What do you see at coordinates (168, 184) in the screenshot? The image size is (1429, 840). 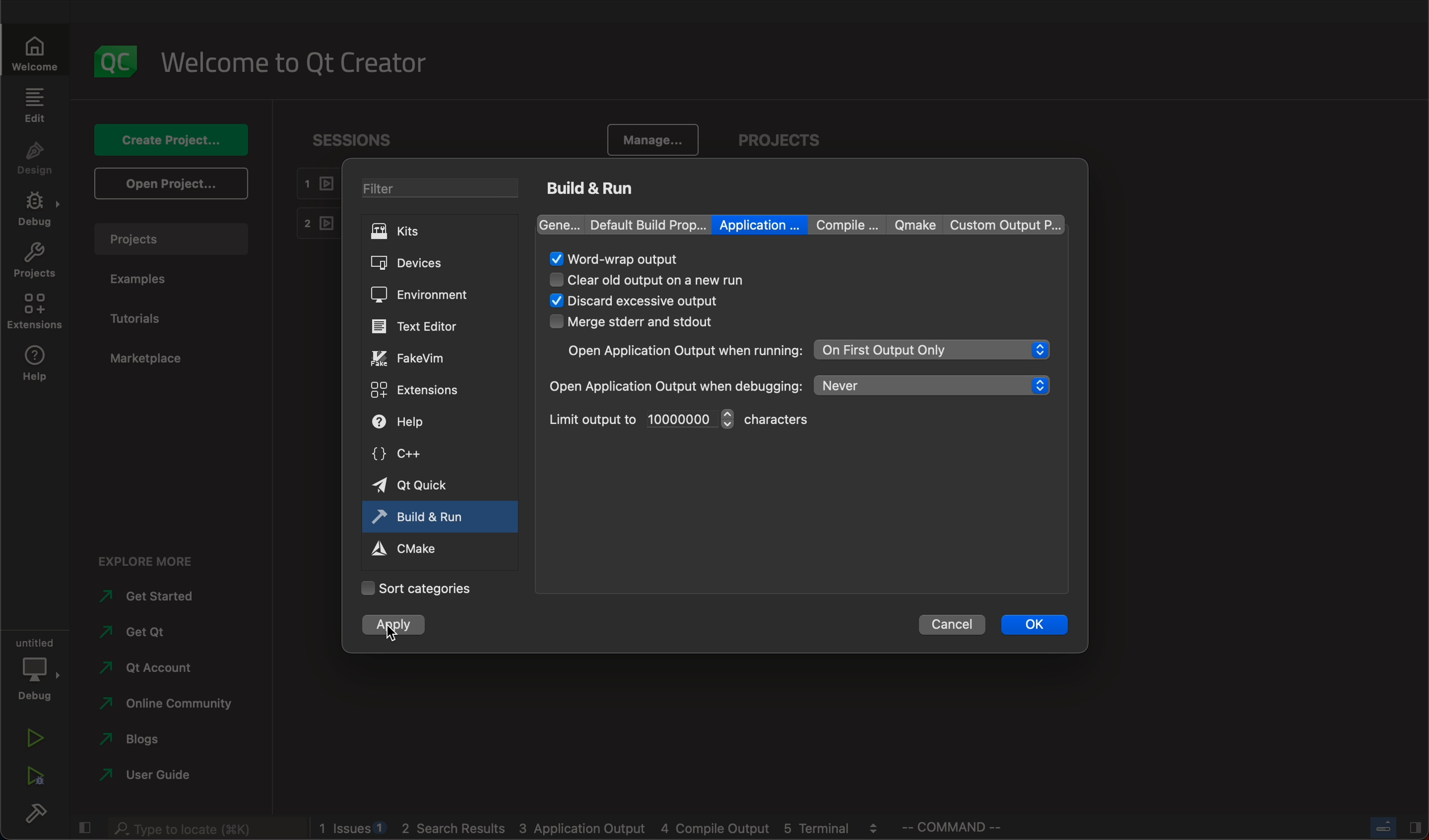 I see `open` at bounding box center [168, 184].